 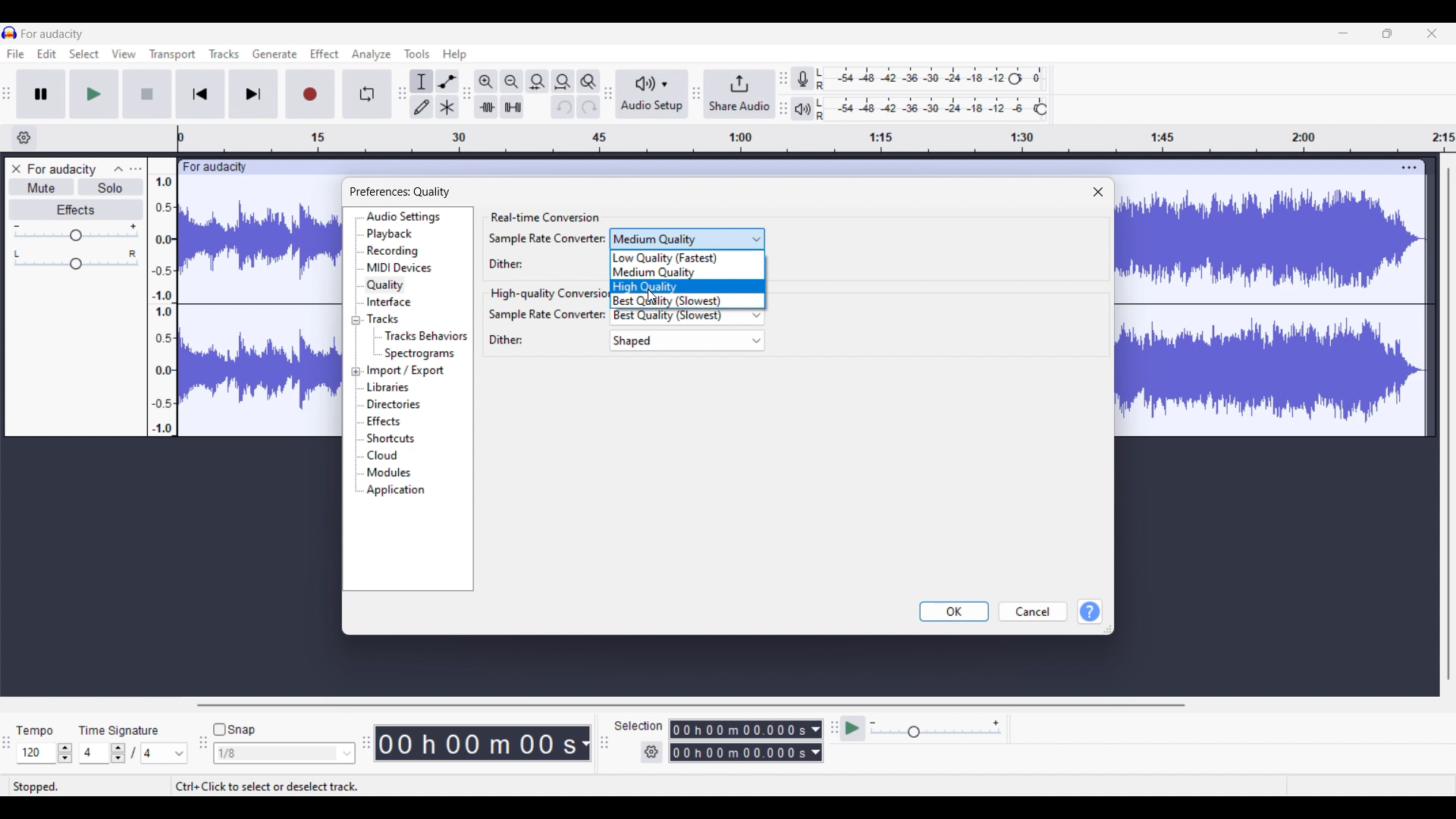 I want to click on audacity, so click(x=212, y=168).